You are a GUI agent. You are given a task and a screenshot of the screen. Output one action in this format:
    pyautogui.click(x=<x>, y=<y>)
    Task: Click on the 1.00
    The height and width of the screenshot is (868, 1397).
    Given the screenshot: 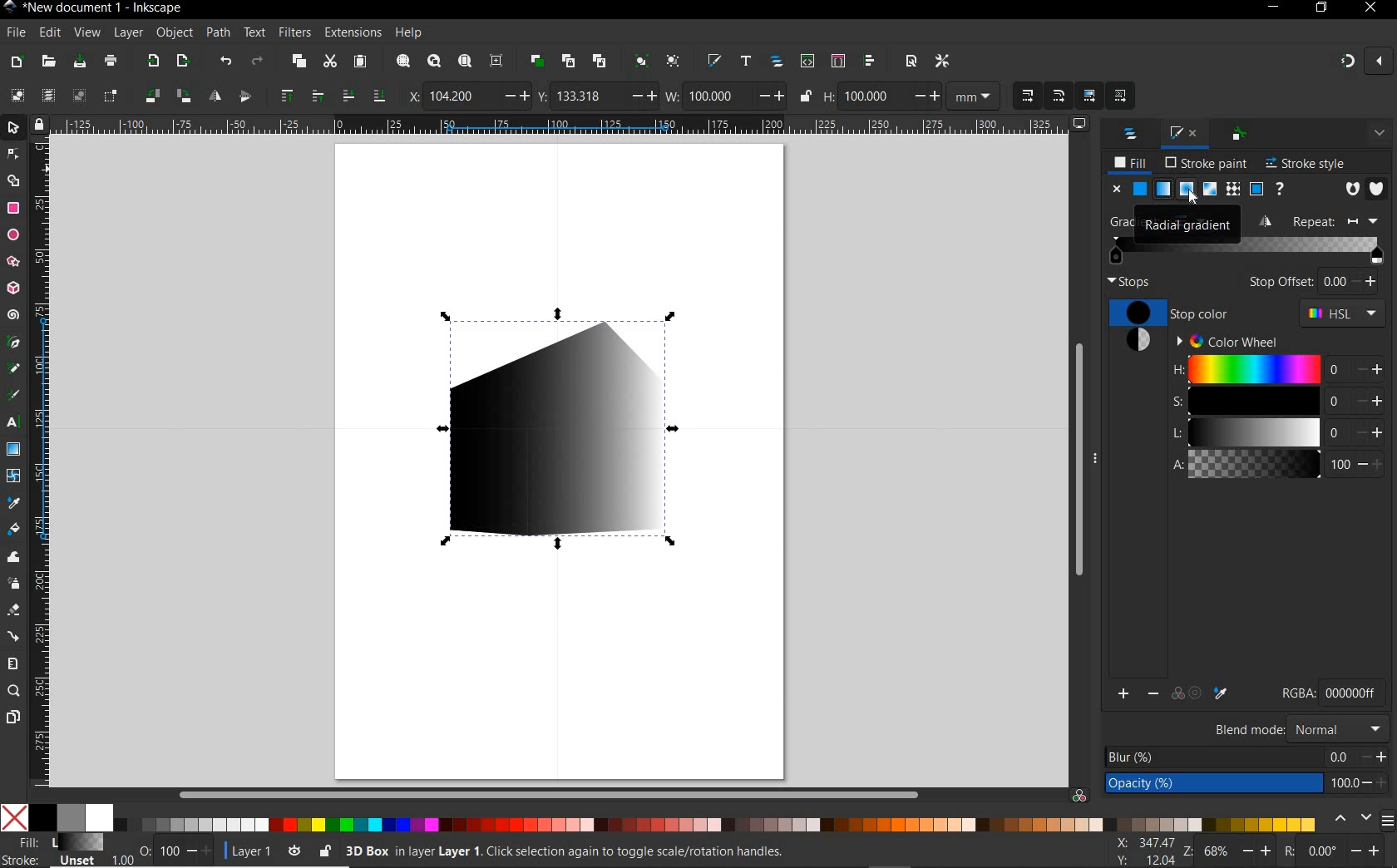 What is the action you would take?
    pyautogui.click(x=121, y=860)
    